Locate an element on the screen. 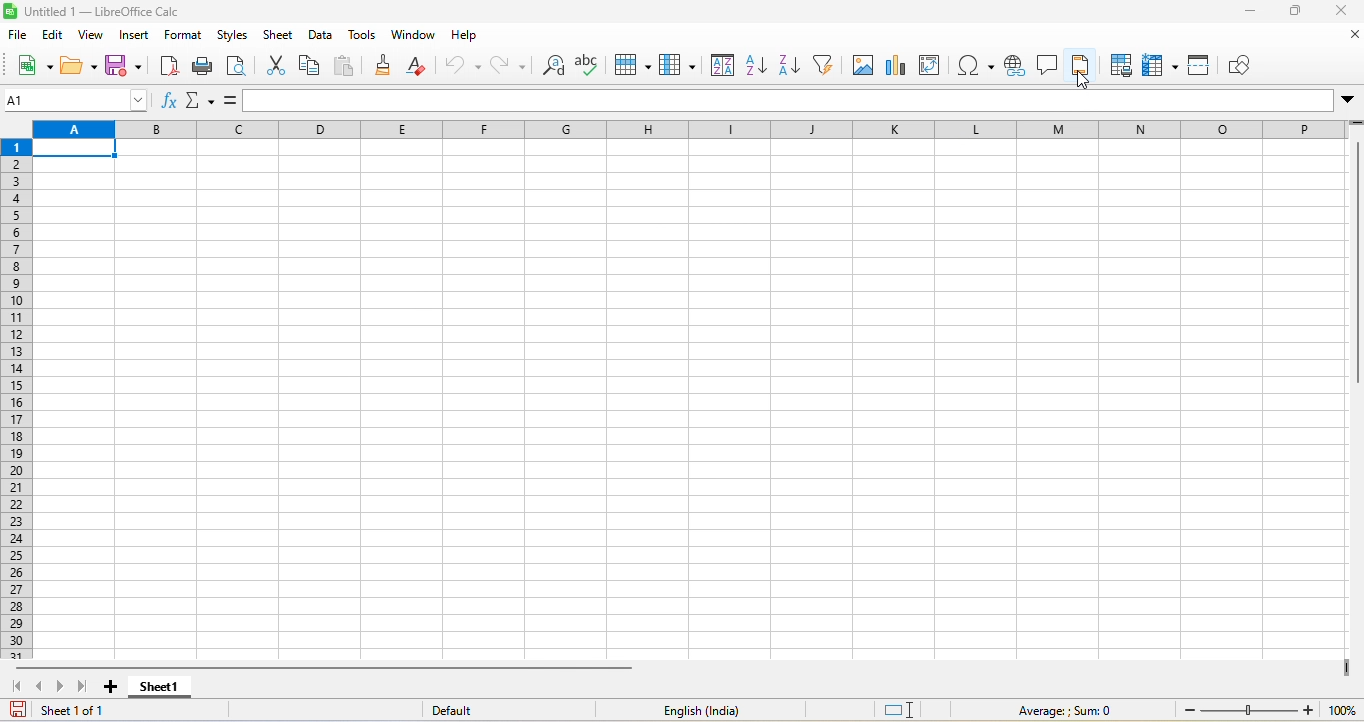 This screenshot has width=1364, height=722. standard selection is located at coordinates (902, 709).